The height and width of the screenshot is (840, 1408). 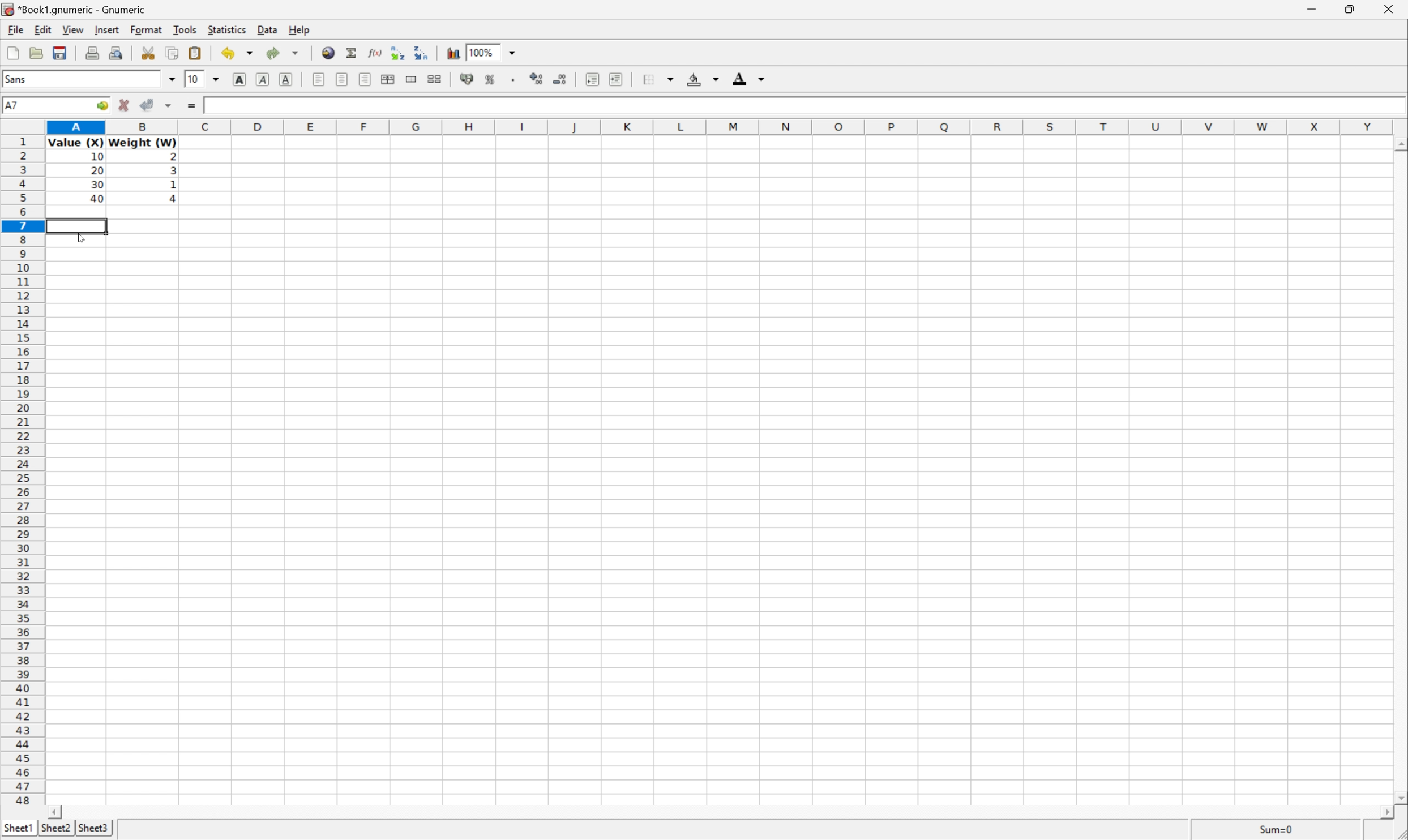 I want to click on Increase indent, and align the contents to the left, so click(x=592, y=79).